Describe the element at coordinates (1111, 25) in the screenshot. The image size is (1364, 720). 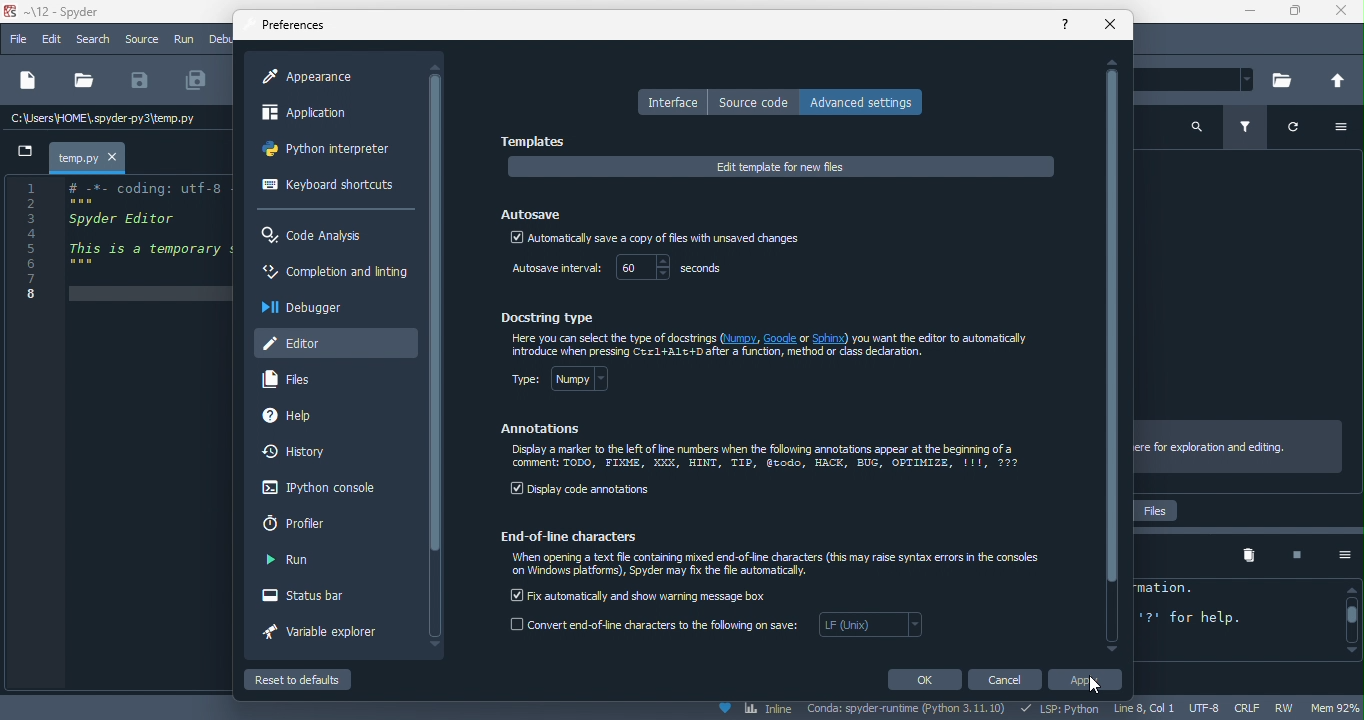
I see `close` at that location.